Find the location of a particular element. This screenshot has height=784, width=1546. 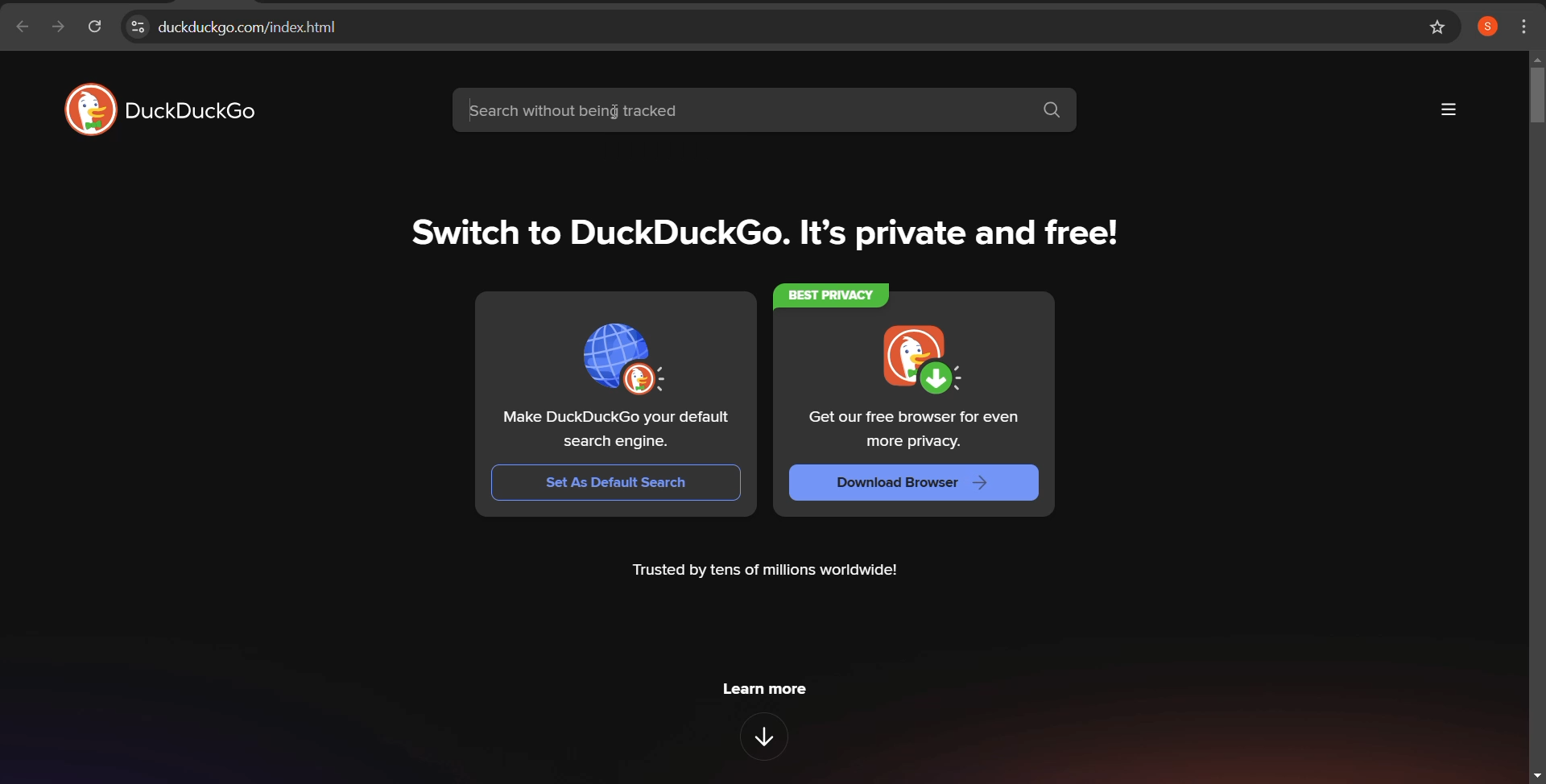

best privacy is located at coordinates (828, 294).